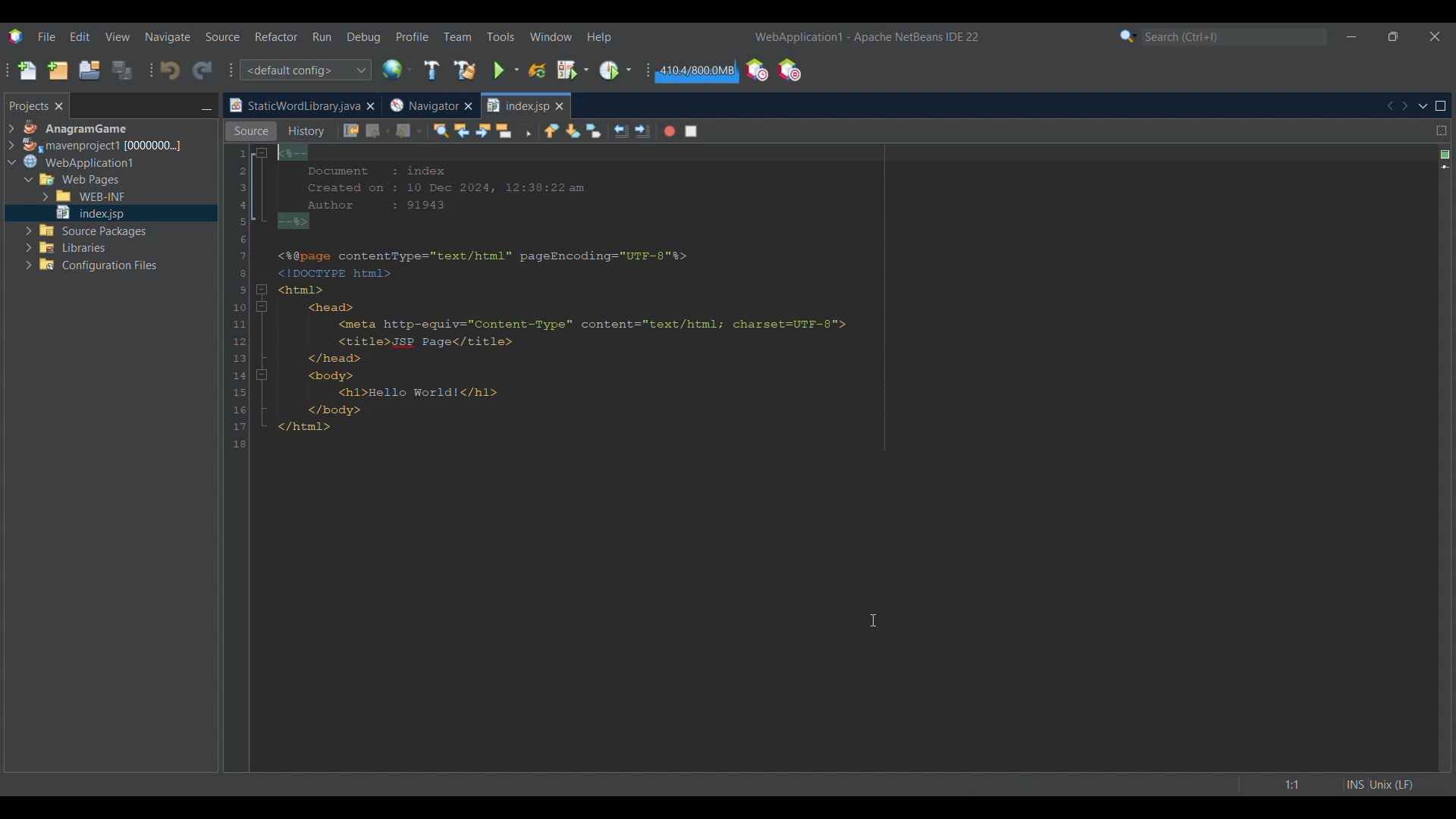  I want to click on Pause I/O checks, so click(789, 70).